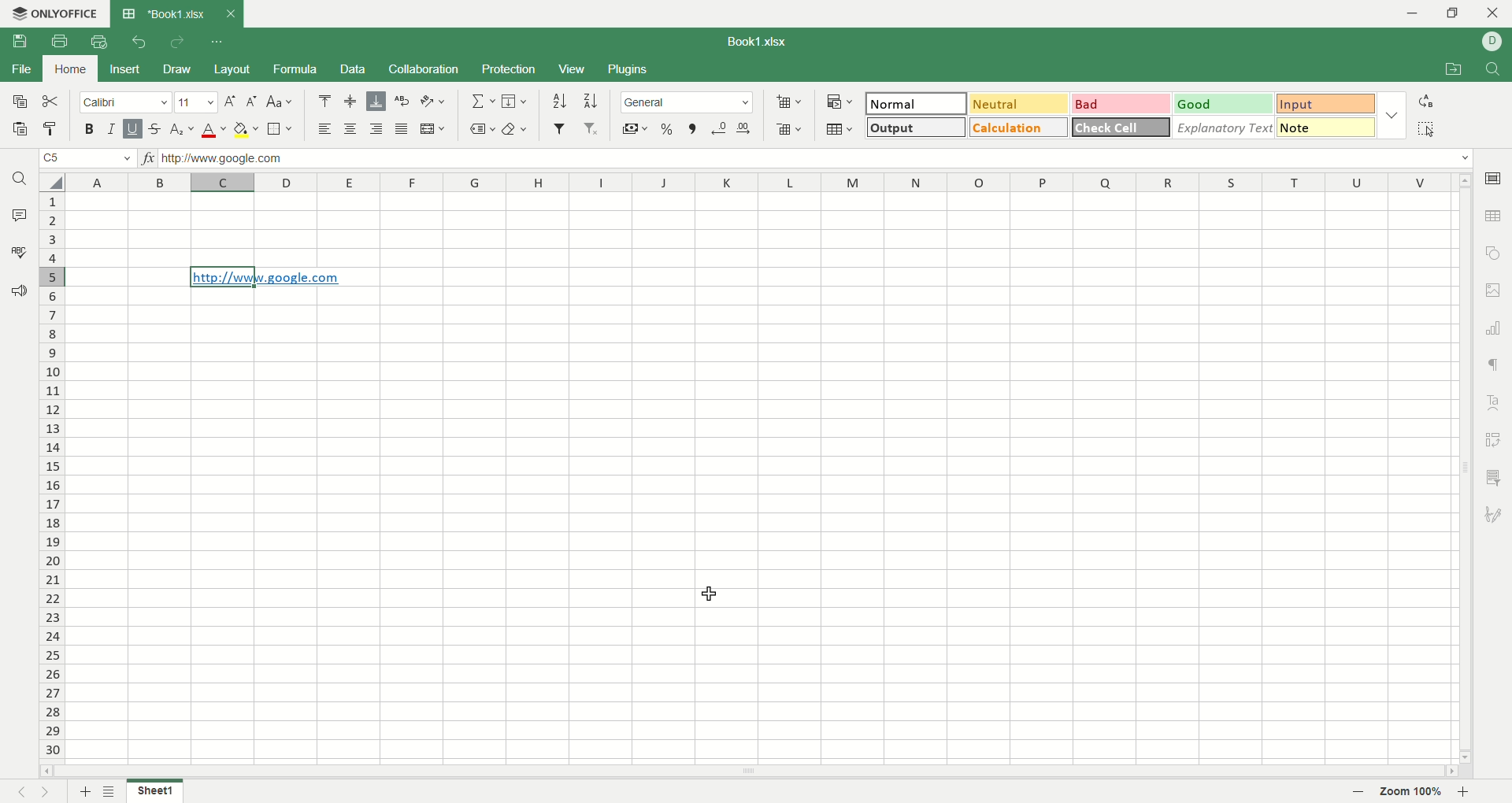 Image resolution: width=1512 pixels, height=803 pixels. I want to click on remove filter, so click(592, 130).